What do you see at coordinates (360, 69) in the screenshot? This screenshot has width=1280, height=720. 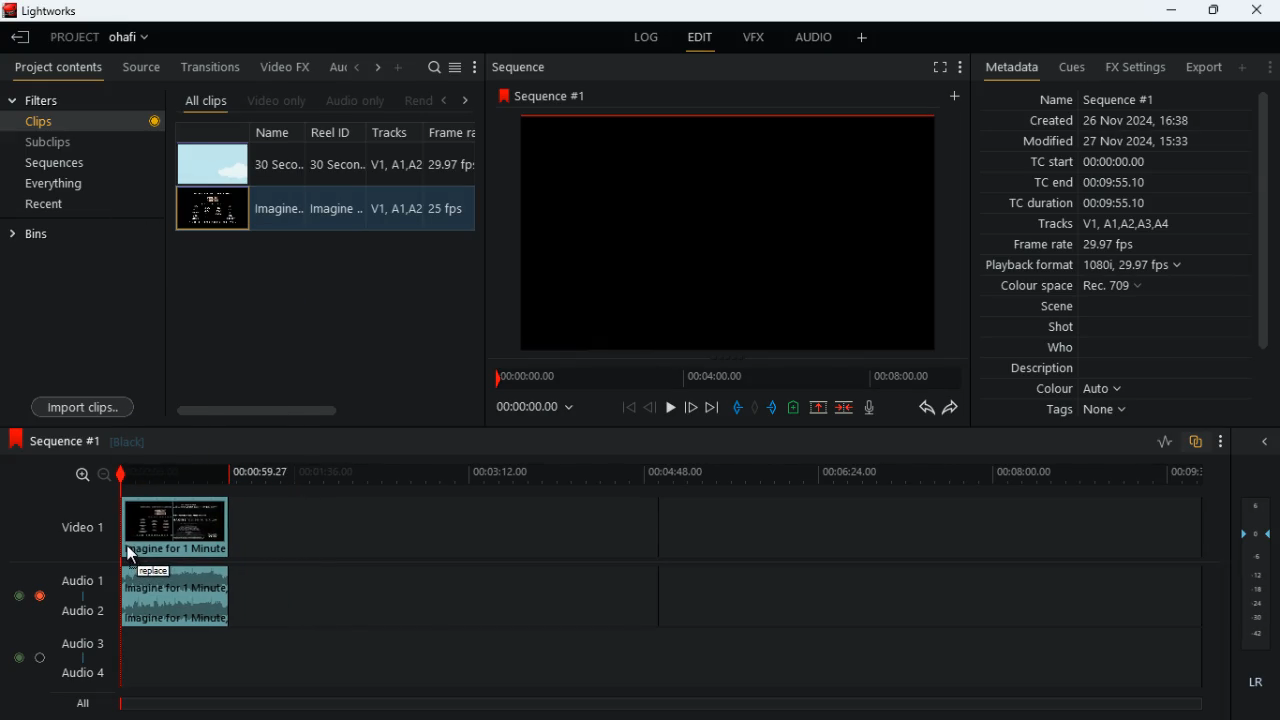 I see `left` at bounding box center [360, 69].